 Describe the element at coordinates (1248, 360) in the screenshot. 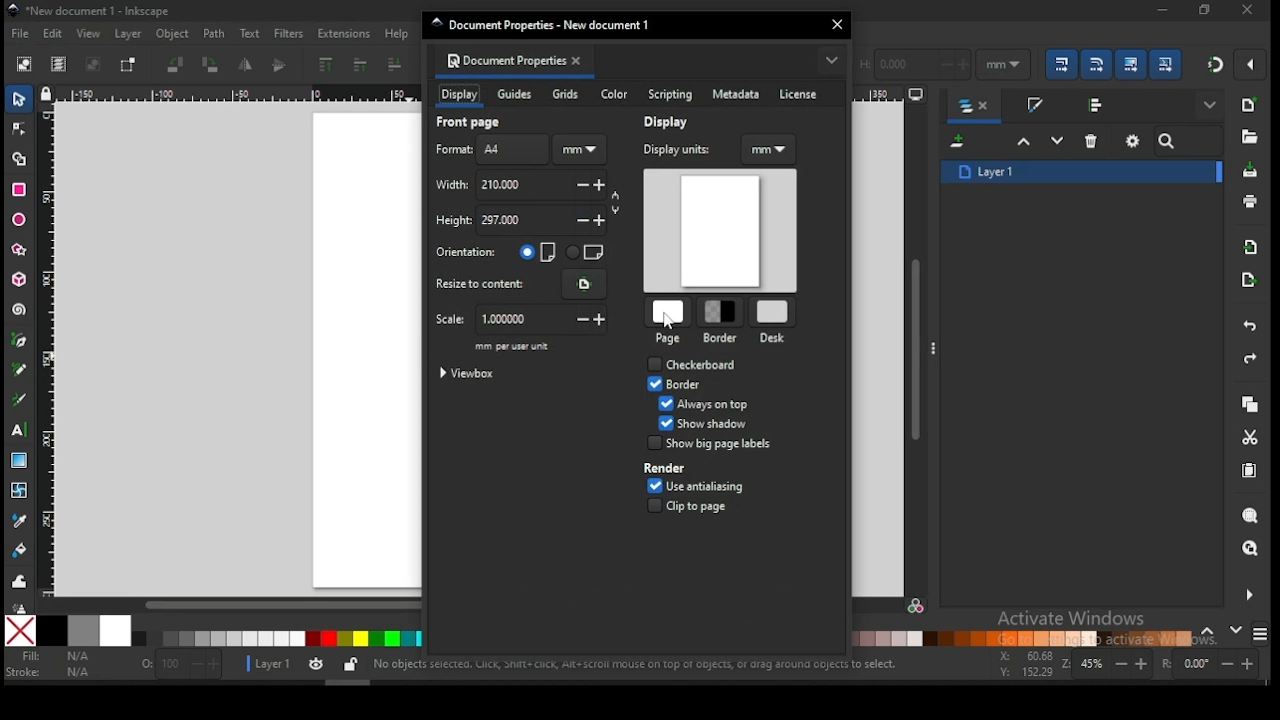

I see `redo` at that location.